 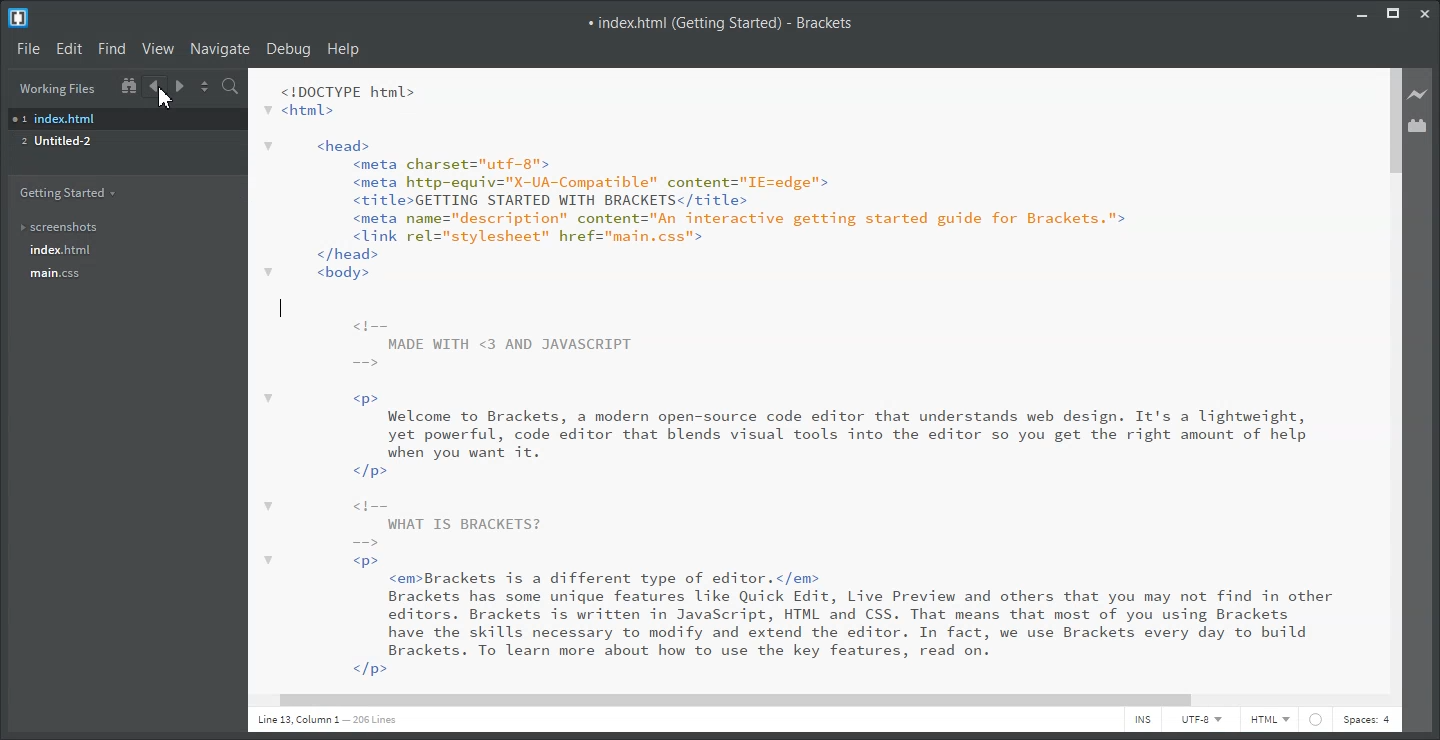 I want to click on Text, so click(x=811, y=378).